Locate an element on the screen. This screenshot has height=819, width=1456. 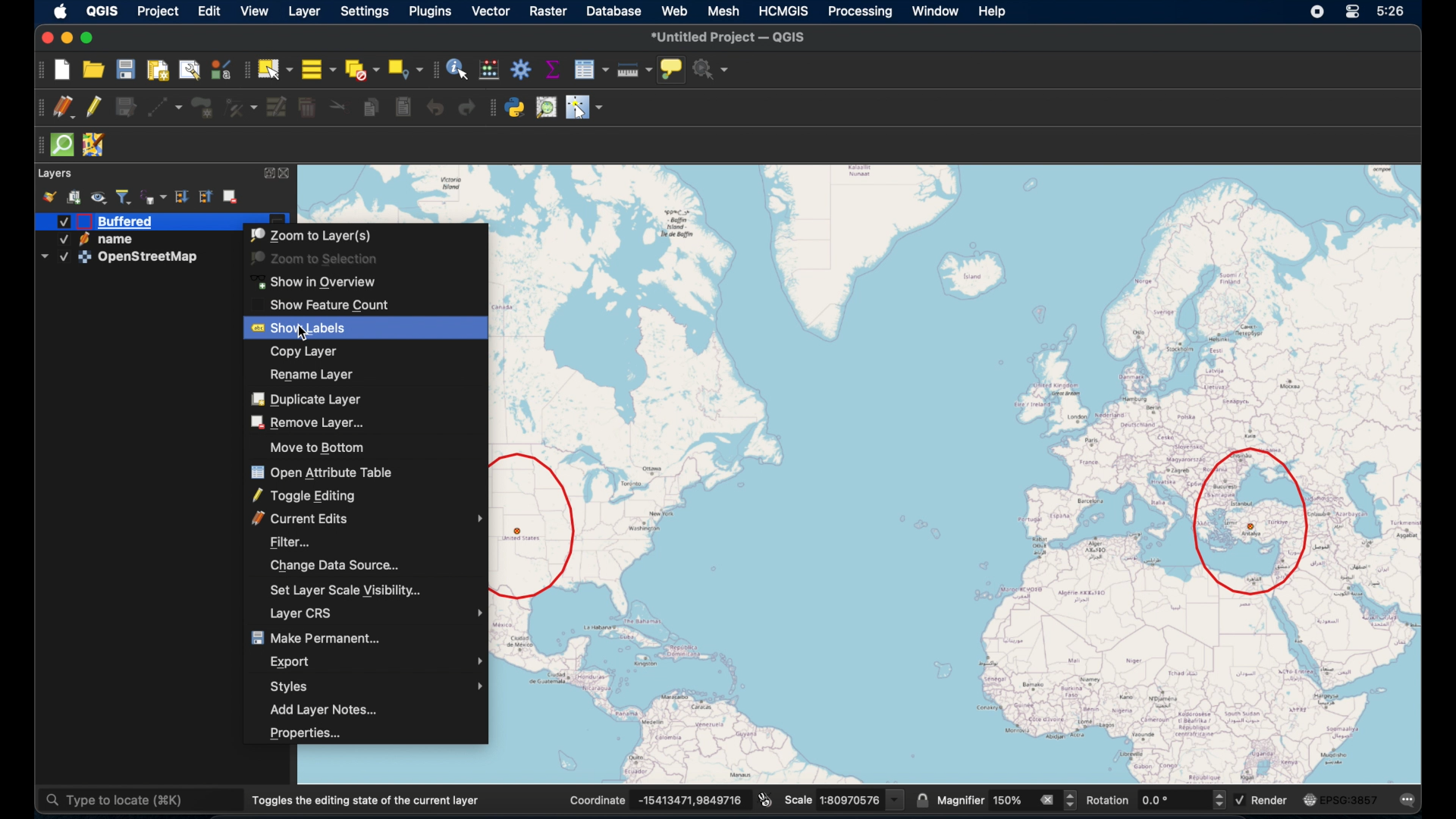
save layer edits is located at coordinates (125, 105).